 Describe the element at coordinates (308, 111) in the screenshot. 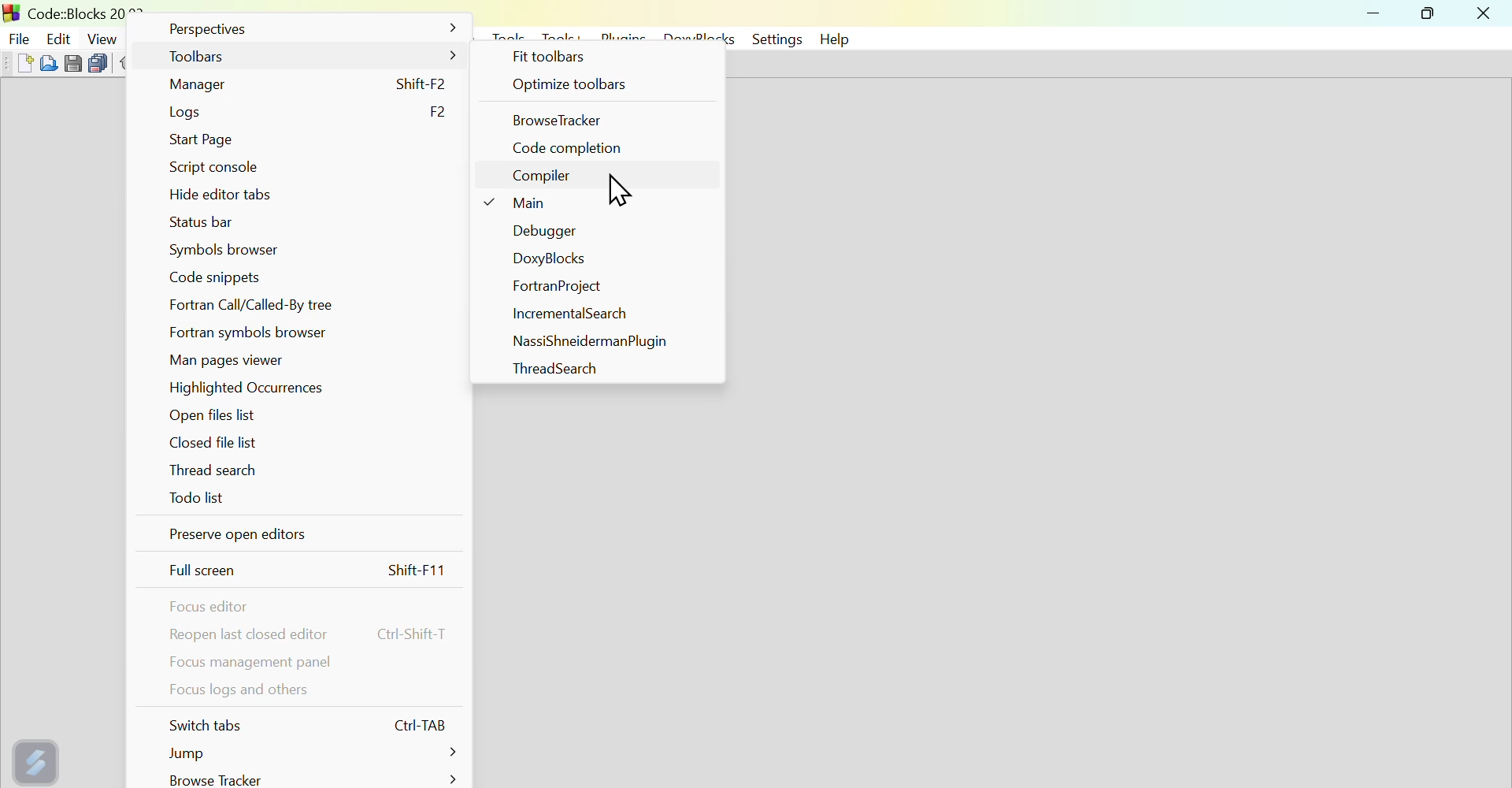

I see `Logs` at that location.